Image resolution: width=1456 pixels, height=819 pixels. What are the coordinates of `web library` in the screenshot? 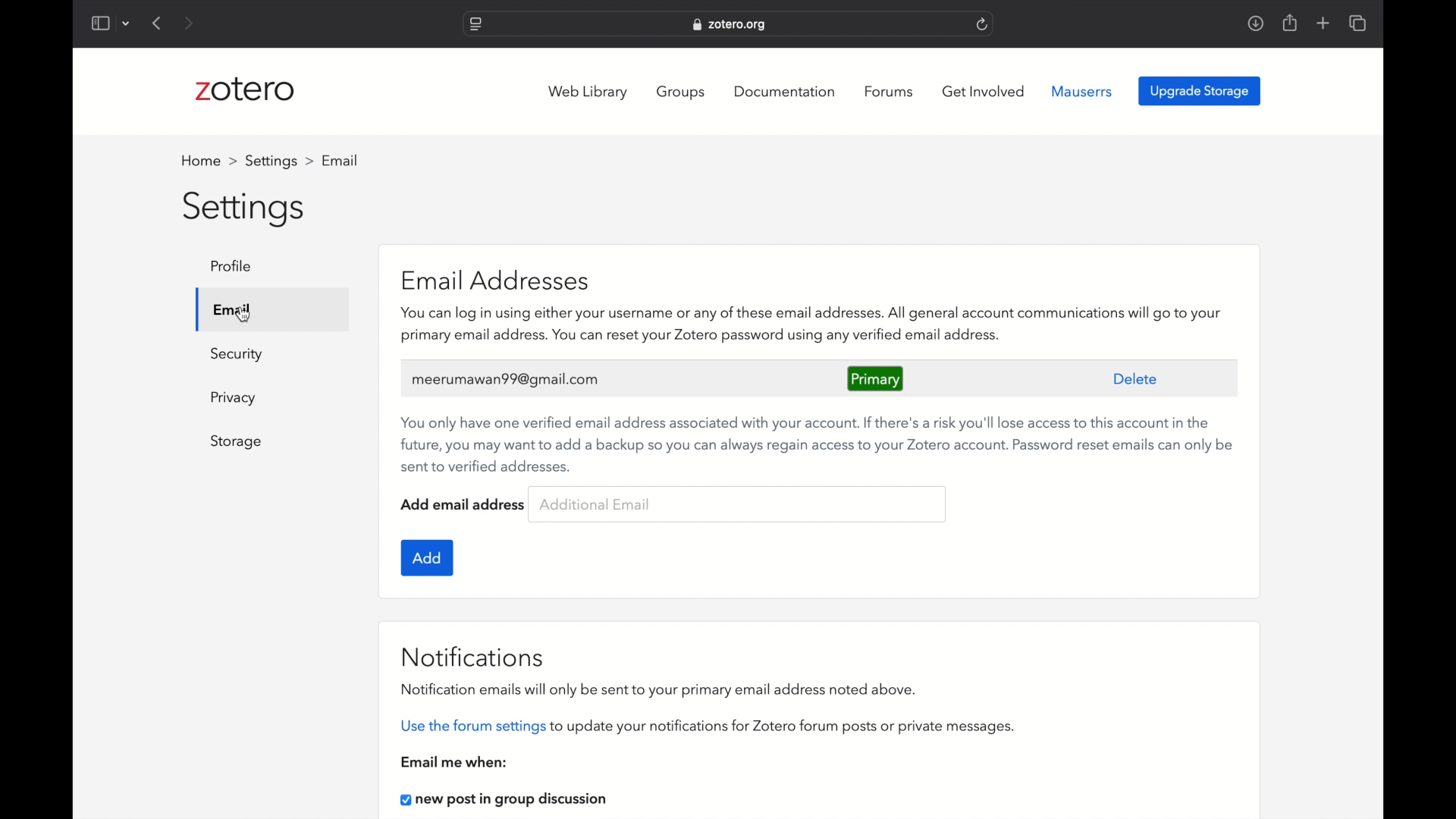 It's located at (590, 93).